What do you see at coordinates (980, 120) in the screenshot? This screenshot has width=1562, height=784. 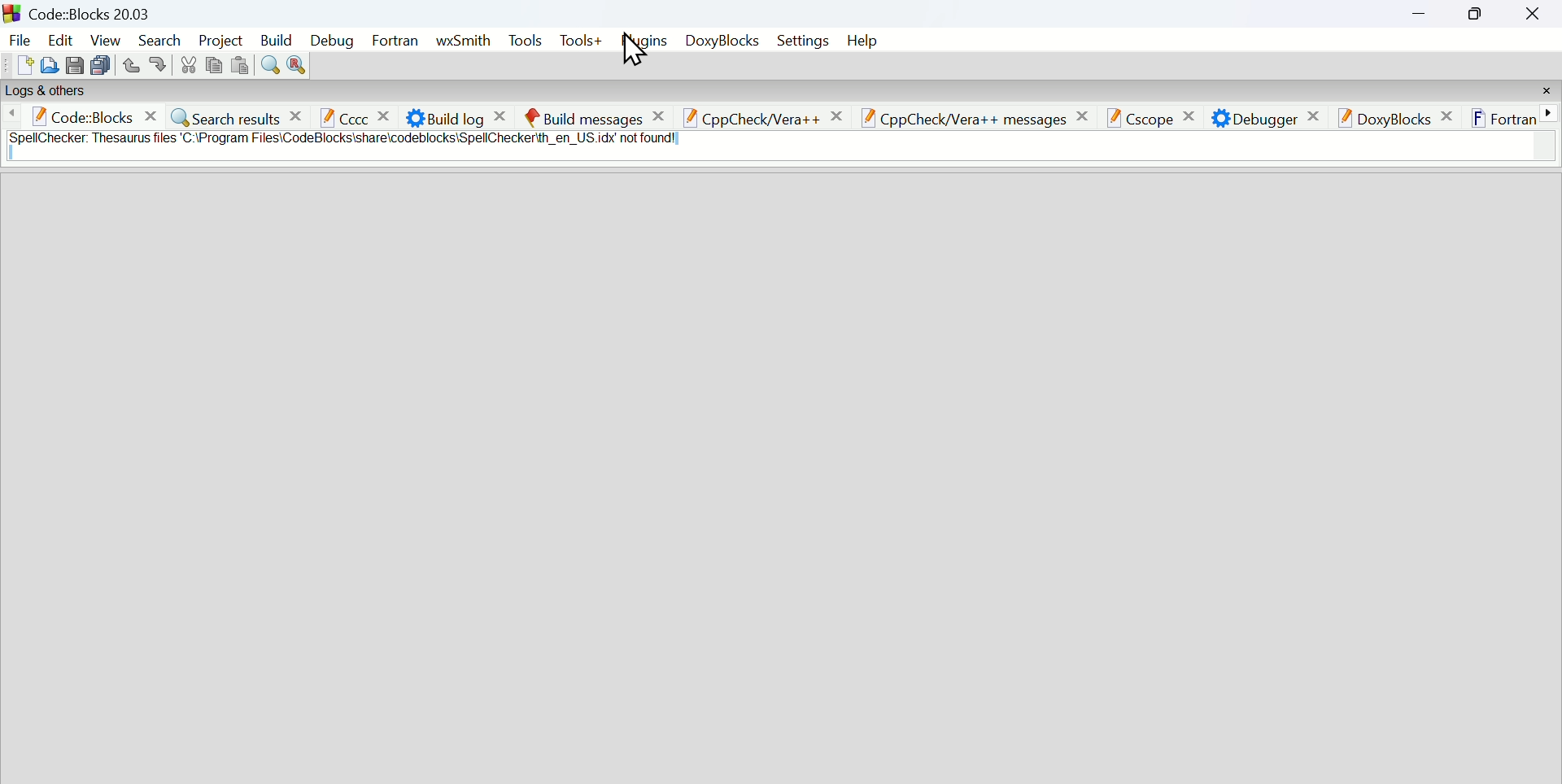 I see ` CppCheck/Vera++ messages` at bounding box center [980, 120].